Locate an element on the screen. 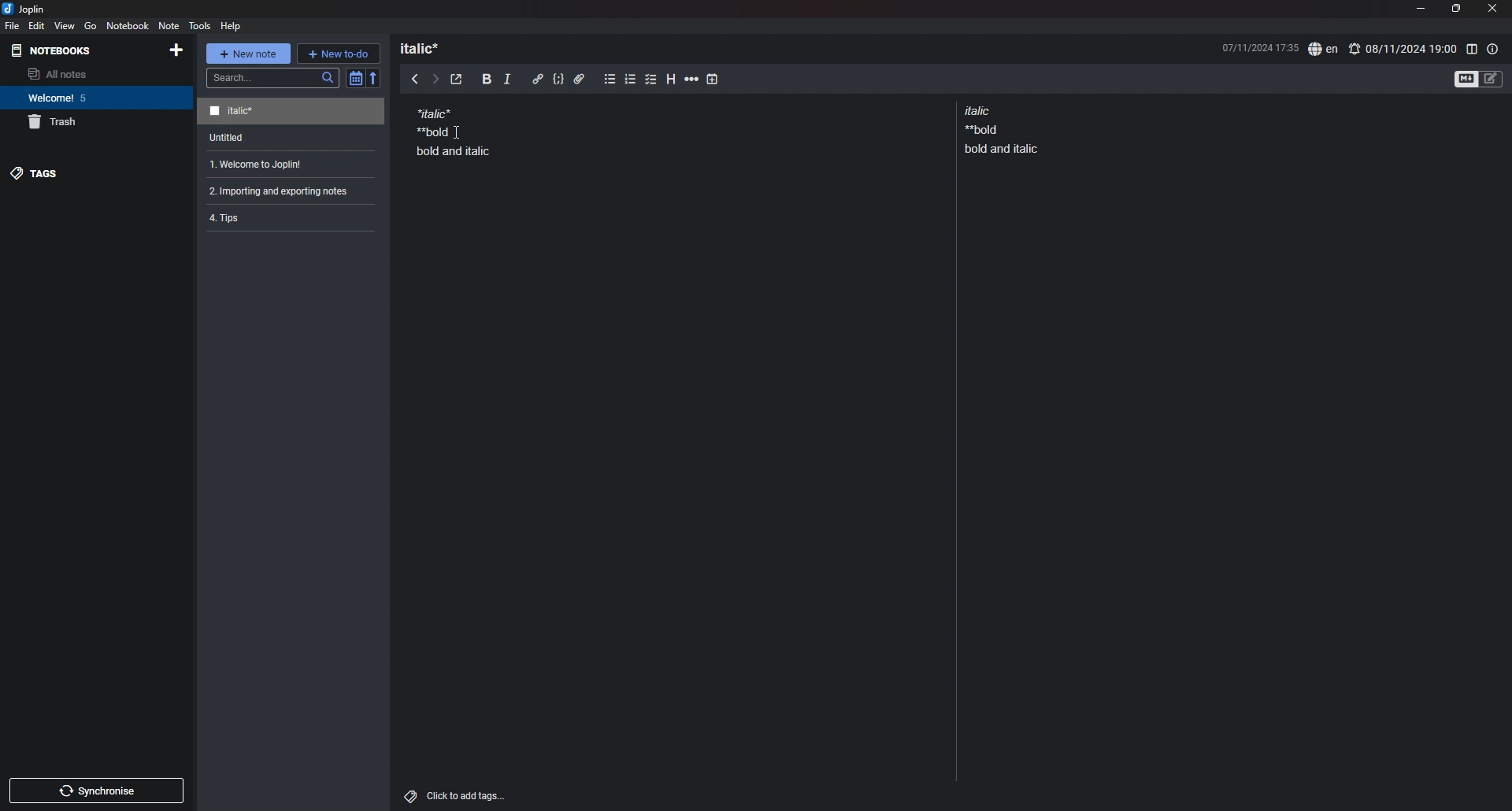 Image resolution: width=1512 pixels, height=811 pixels. tags is located at coordinates (95, 173).